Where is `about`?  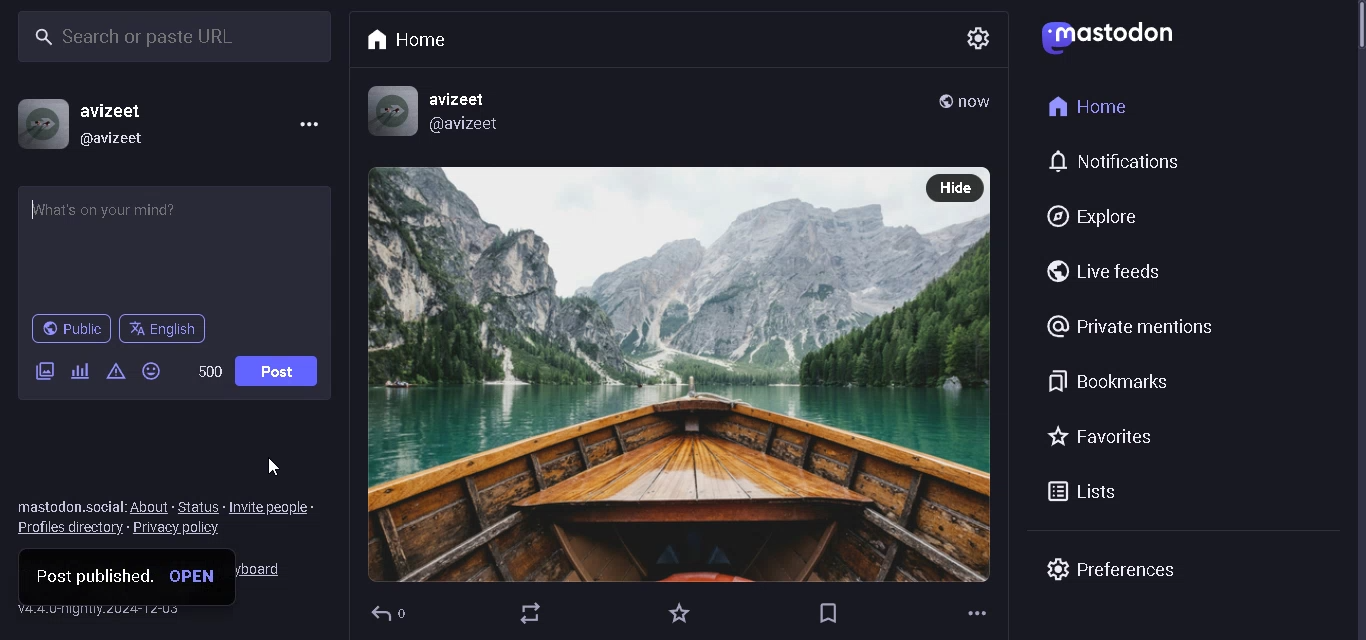
about is located at coordinates (151, 508).